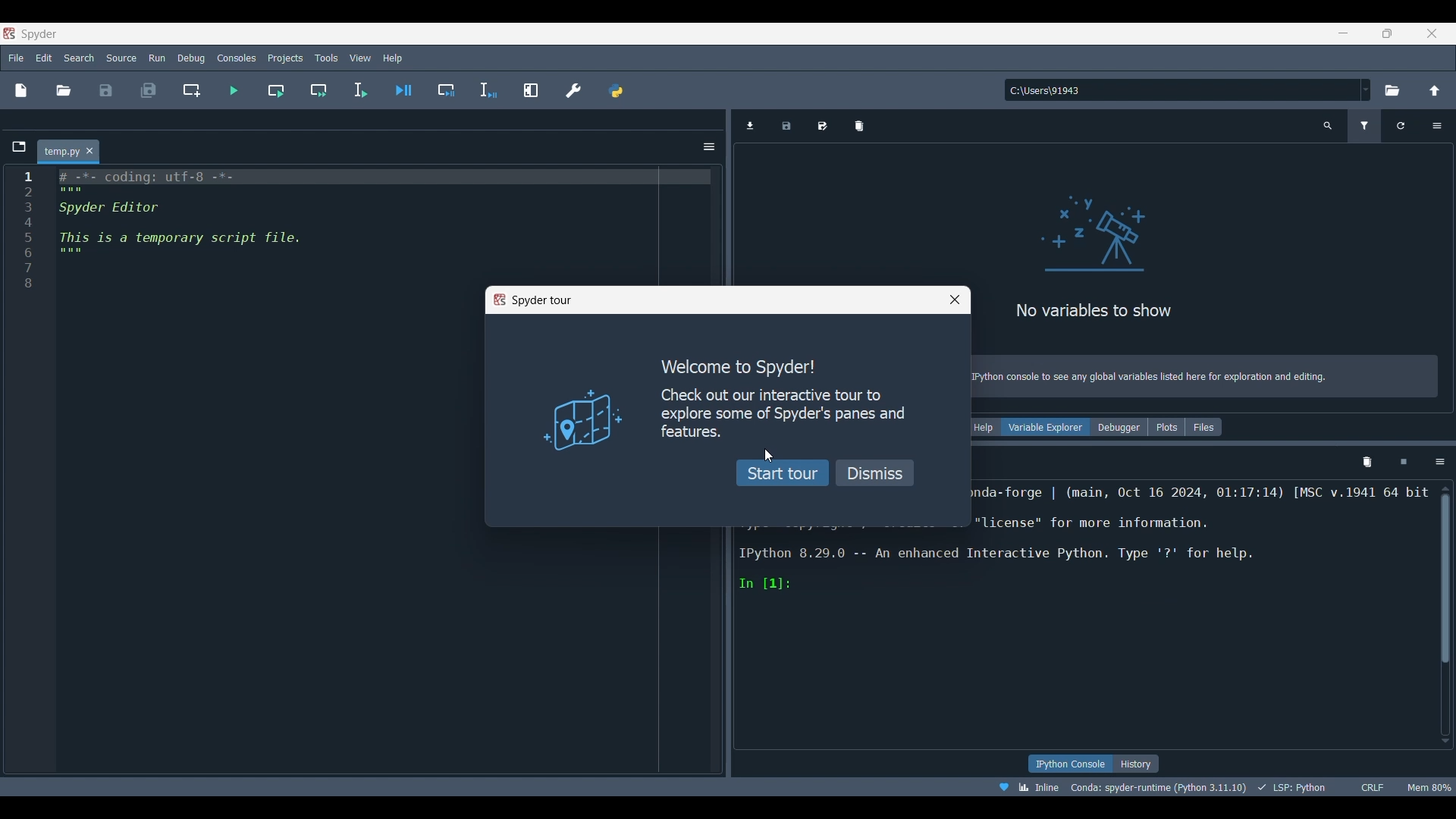 The height and width of the screenshot is (819, 1456). I want to click on UTF-8, so click(1317, 786).